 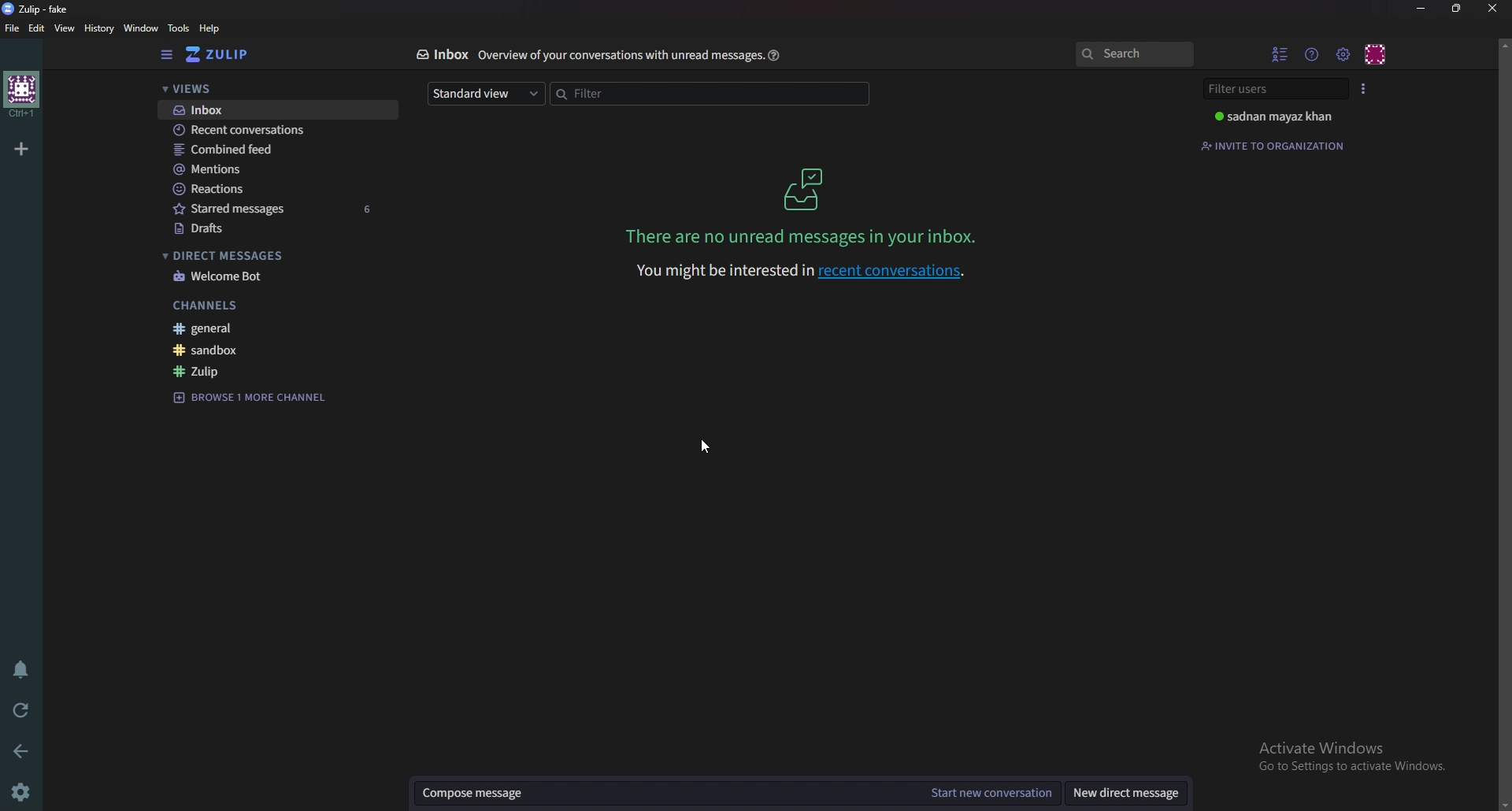 I want to click on File, so click(x=12, y=28).